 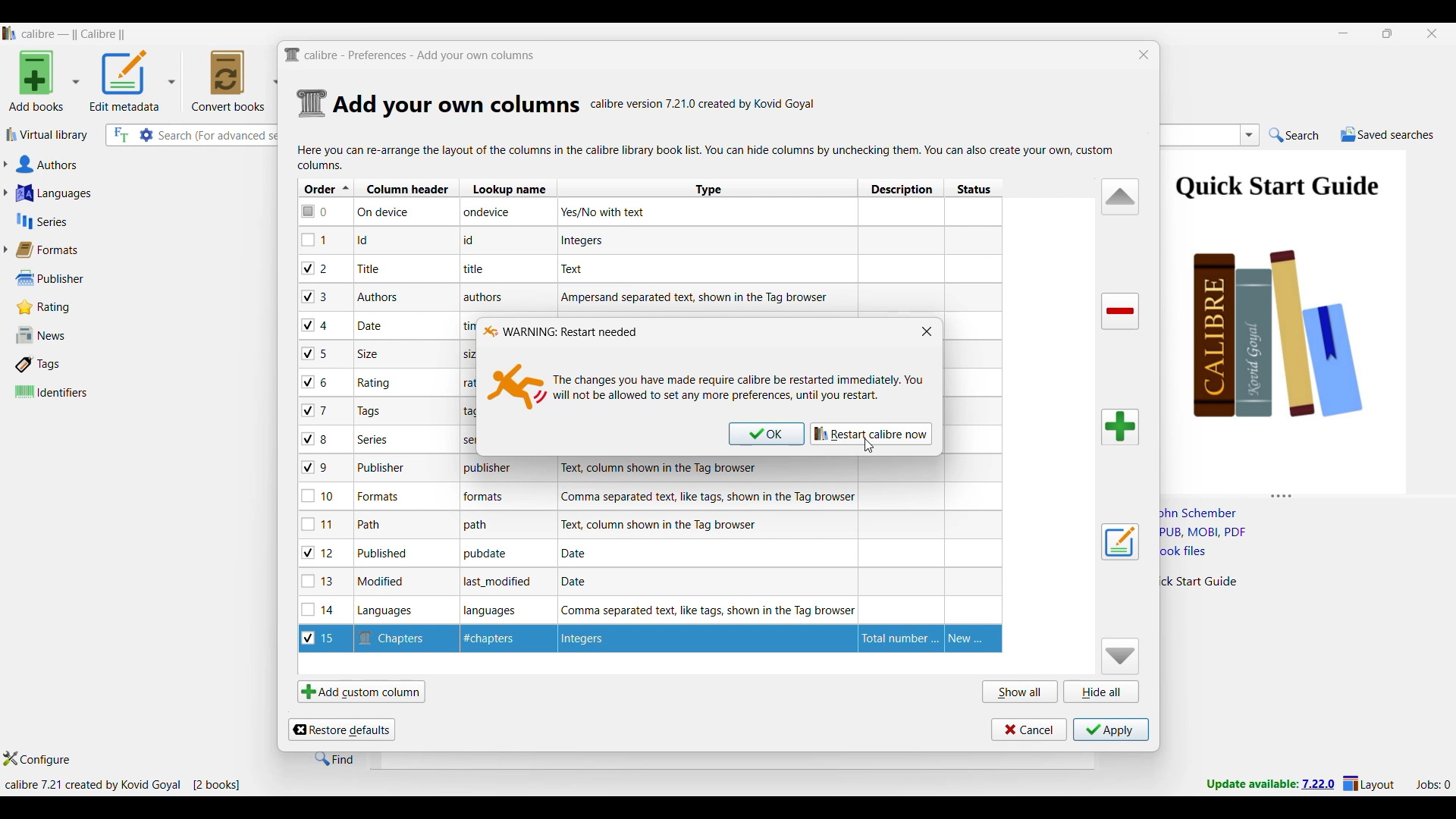 What do you see at coordinates (326, 188) in the screenshot?
I see `Order column, current sorting` at bounding box center [326, 188].